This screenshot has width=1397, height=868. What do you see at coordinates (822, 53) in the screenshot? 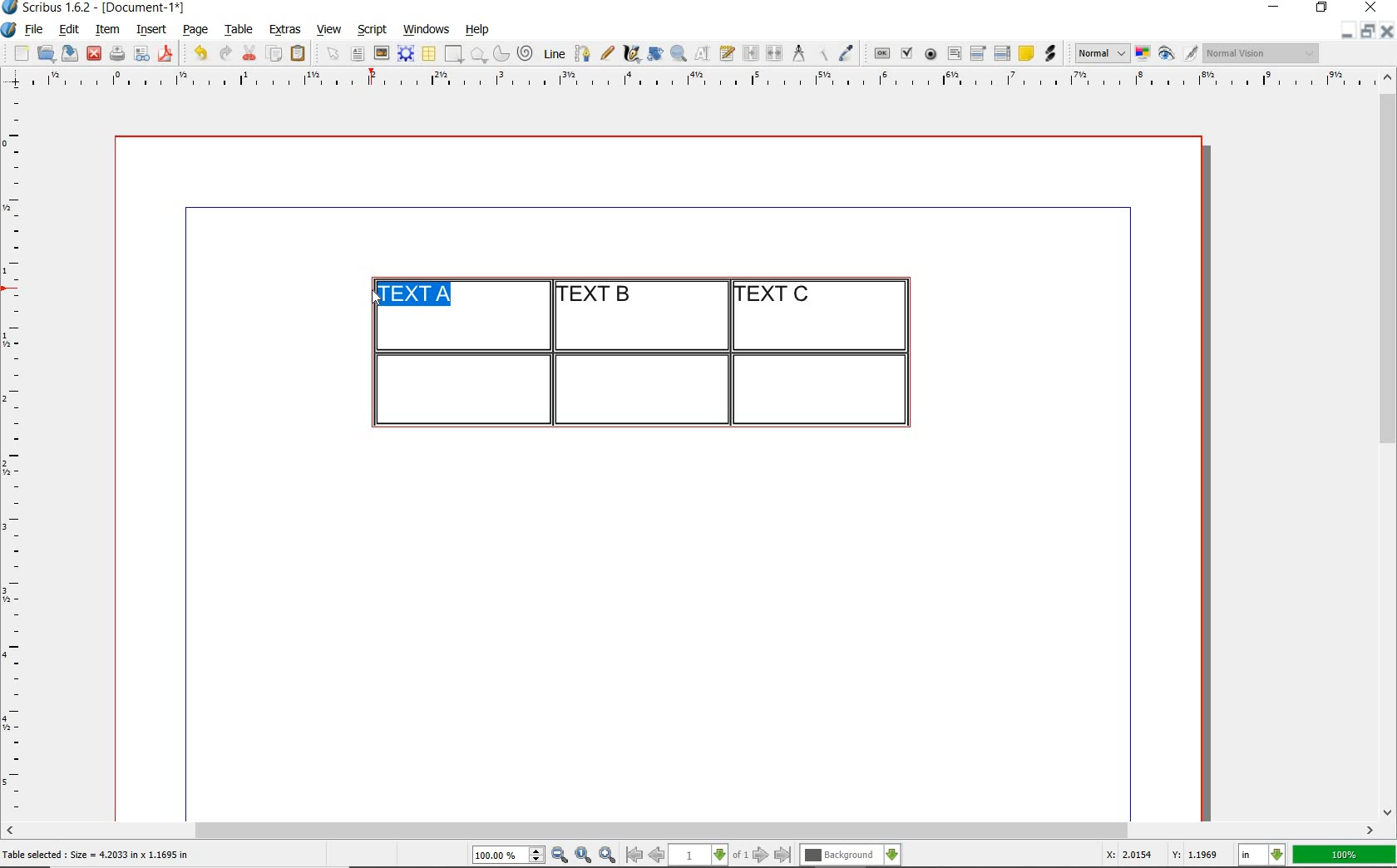
I see `copy item properties` at bounding box center [822, 53].